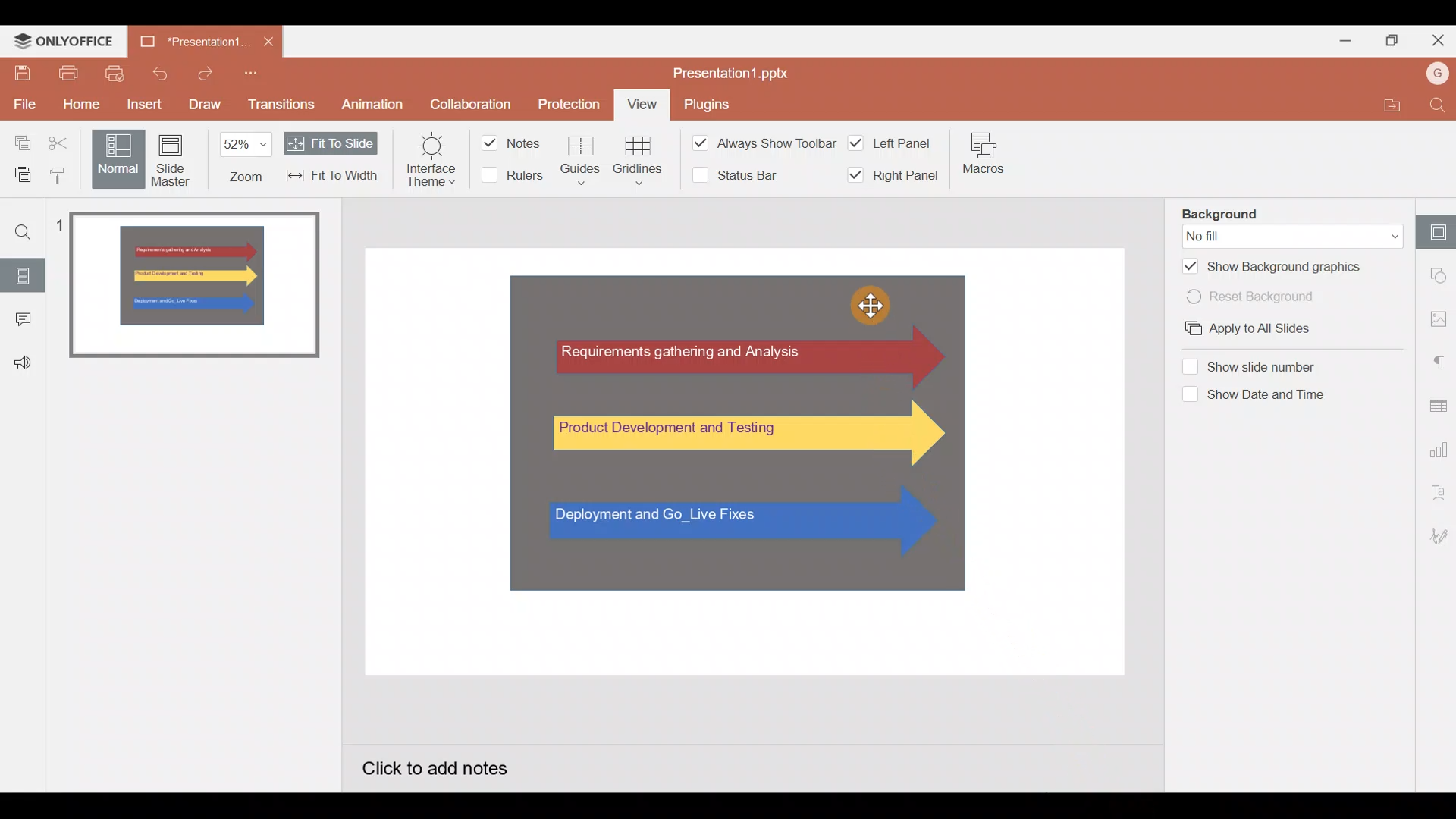 The image size is (1456, 819). I want to click on Draw, so click(205, 102).